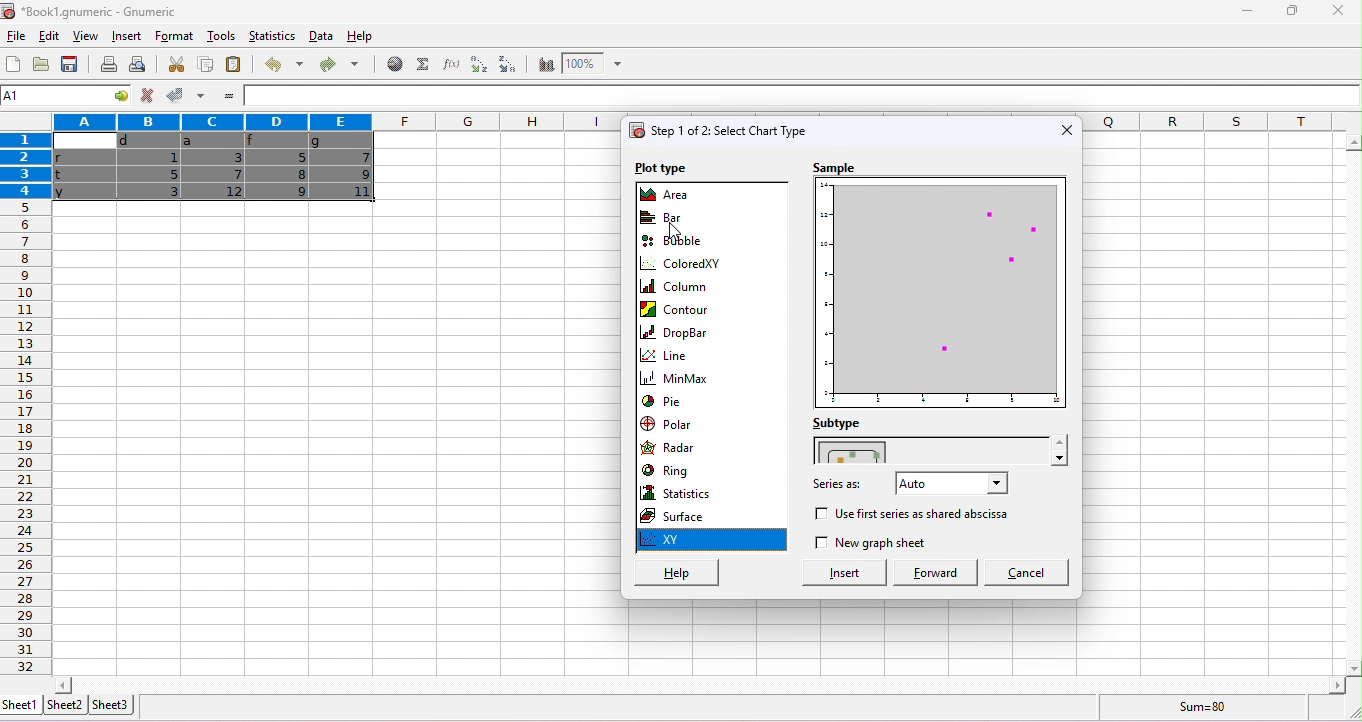 The width and height of the screenshot is (1362, 722). Describe the element at coordinates (339, 63) in the screenshot. I see `redo` at that location.